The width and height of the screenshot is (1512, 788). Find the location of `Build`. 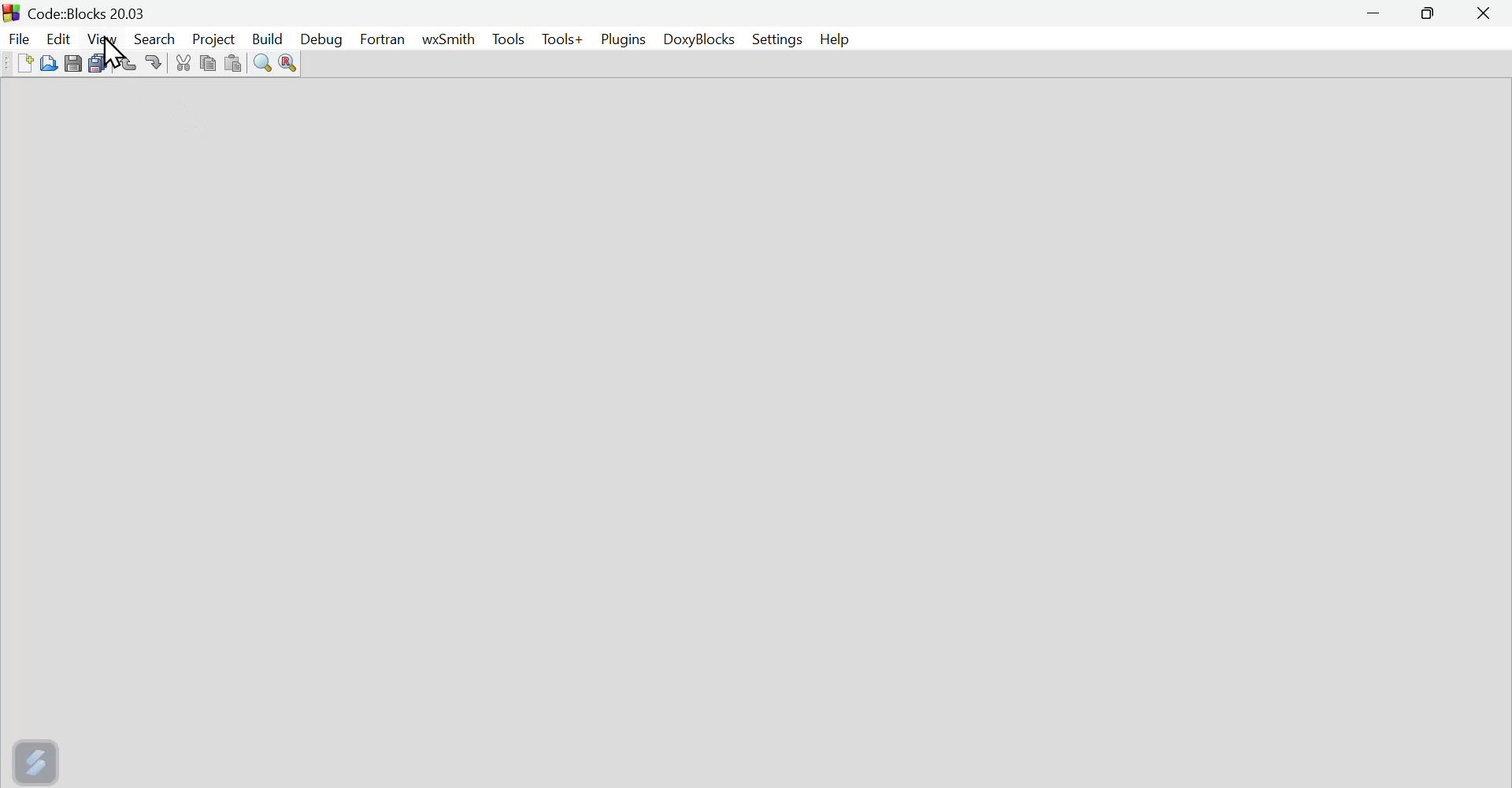

Build is located at coordinates (272, 35).